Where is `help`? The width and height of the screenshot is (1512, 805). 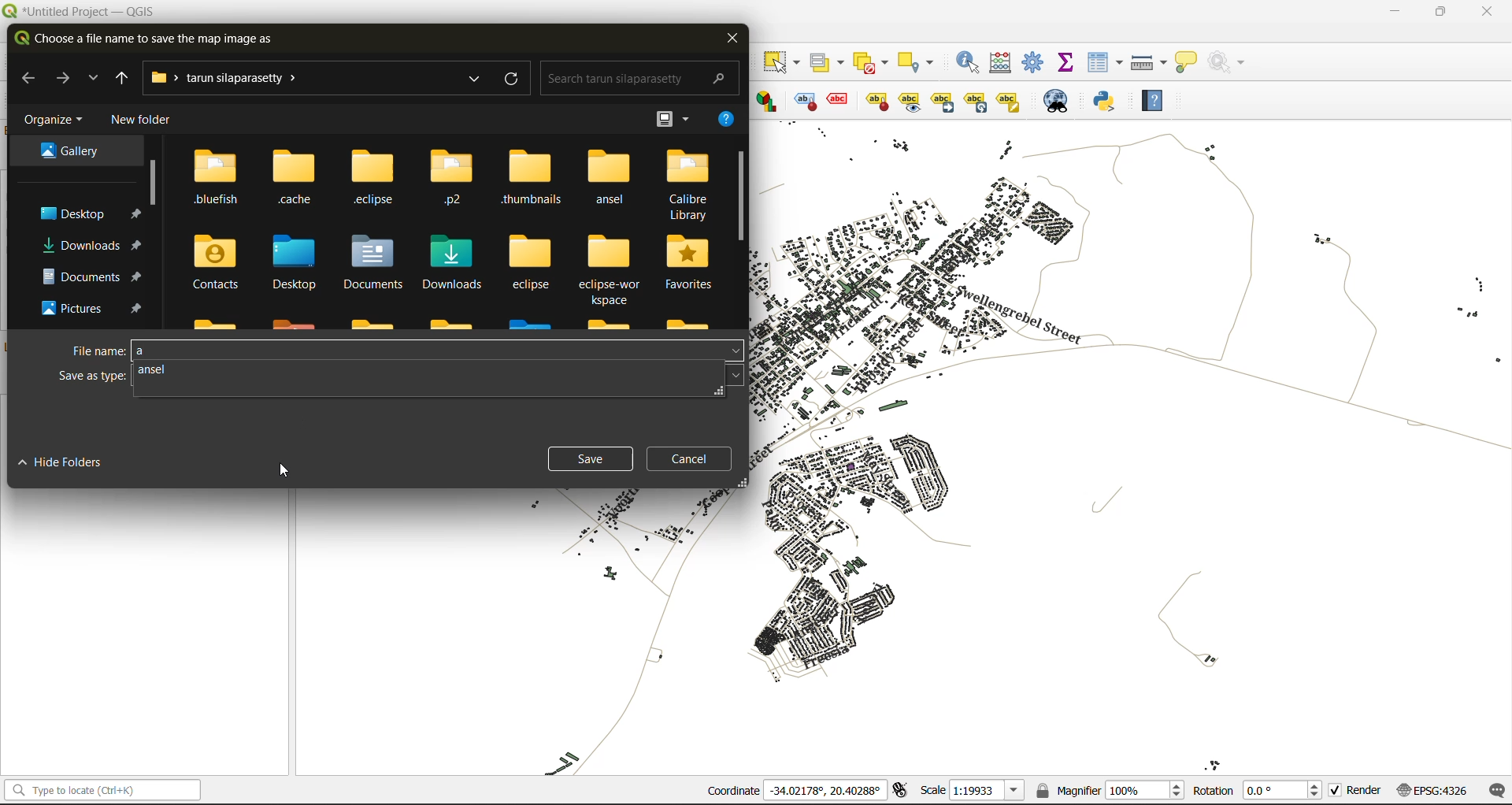
help is located at coordinates (723, 121).